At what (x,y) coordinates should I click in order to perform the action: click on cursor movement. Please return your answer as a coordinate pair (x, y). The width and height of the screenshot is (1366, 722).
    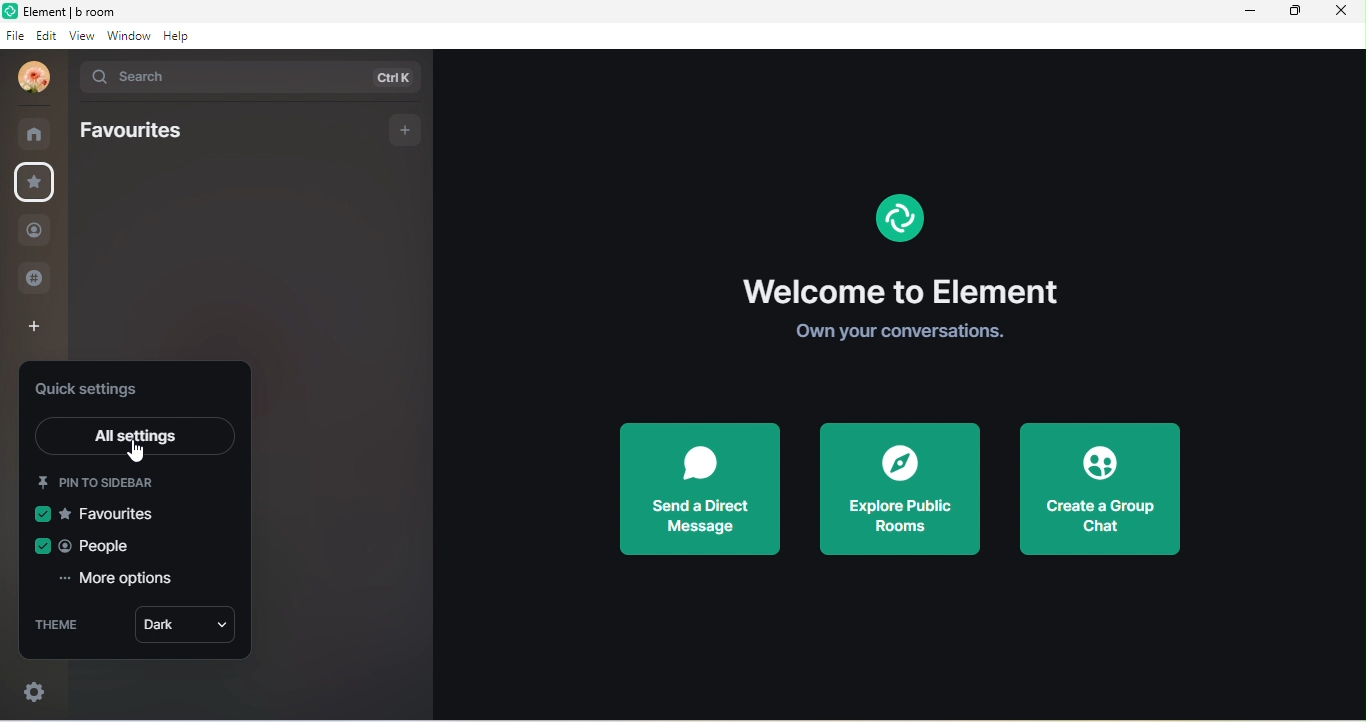
    Looking at the image, I should click on (140, 451).